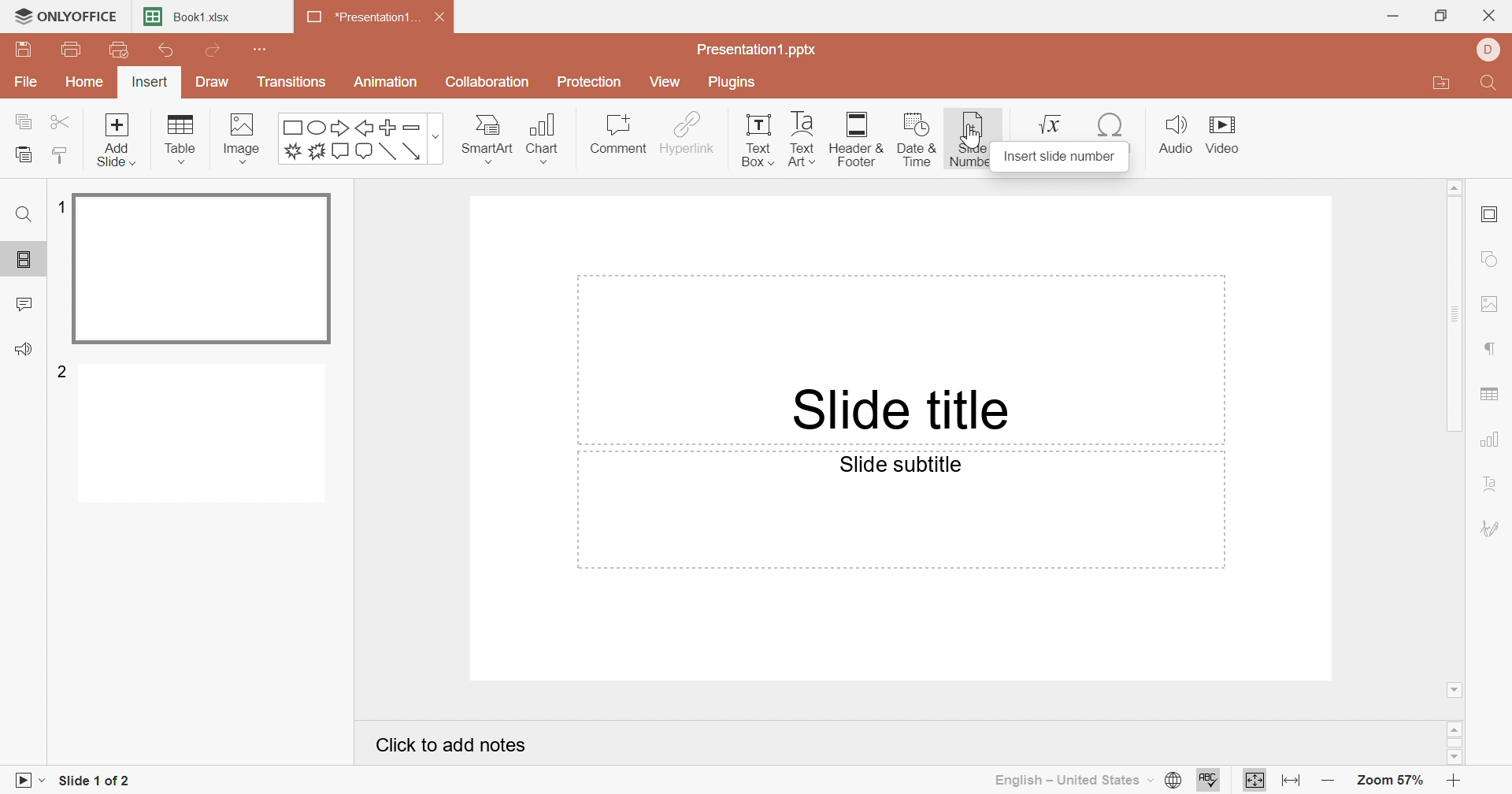 This screenshot has width=1512, height=794. What do you see at coordinates (216, 52) in the screenshot?
I see `Redo` at bounding box center [216, 52].